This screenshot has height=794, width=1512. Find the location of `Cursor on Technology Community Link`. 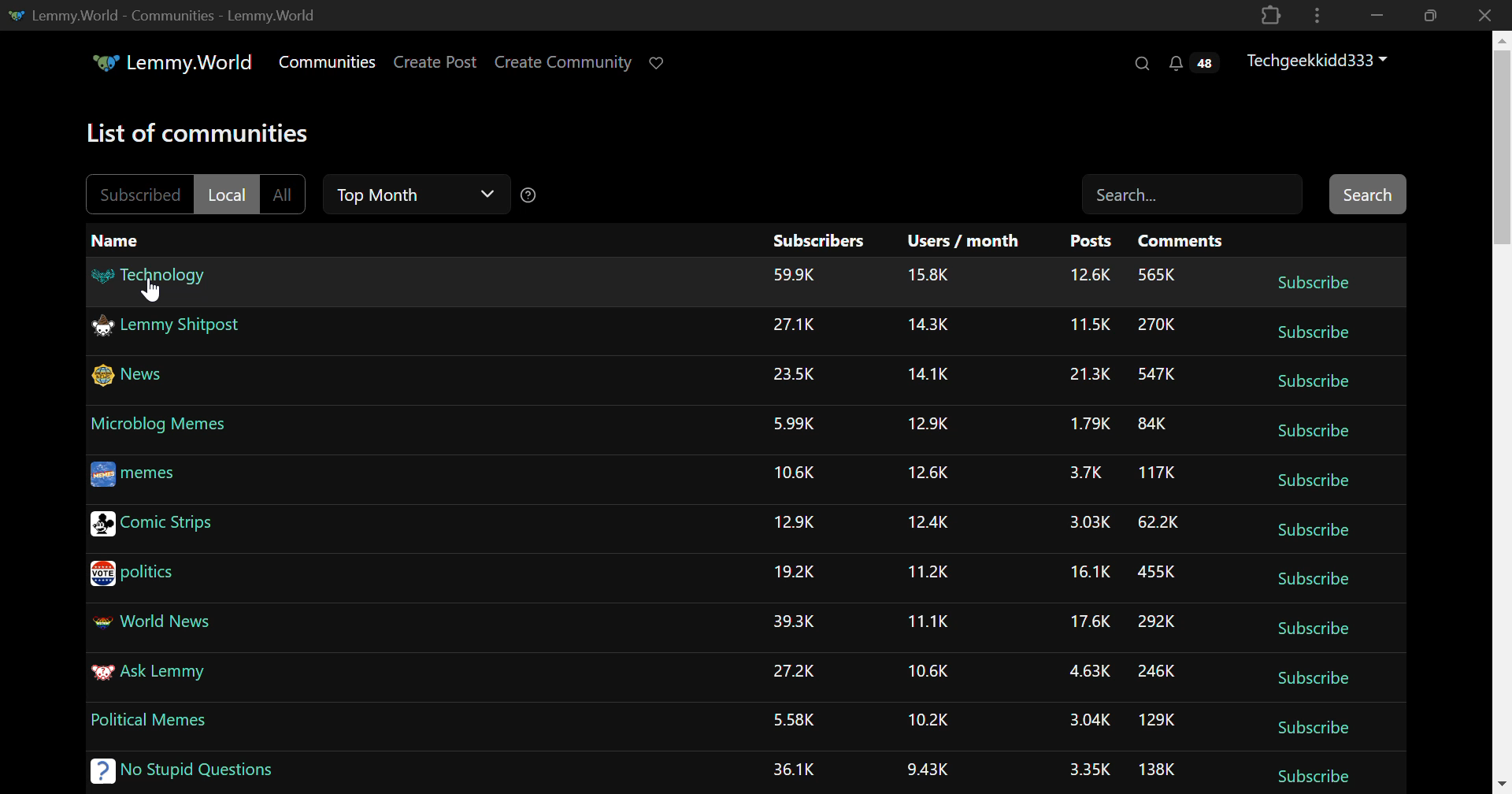

Cursor on Technology Community Link is located at coordinates (150, 288).